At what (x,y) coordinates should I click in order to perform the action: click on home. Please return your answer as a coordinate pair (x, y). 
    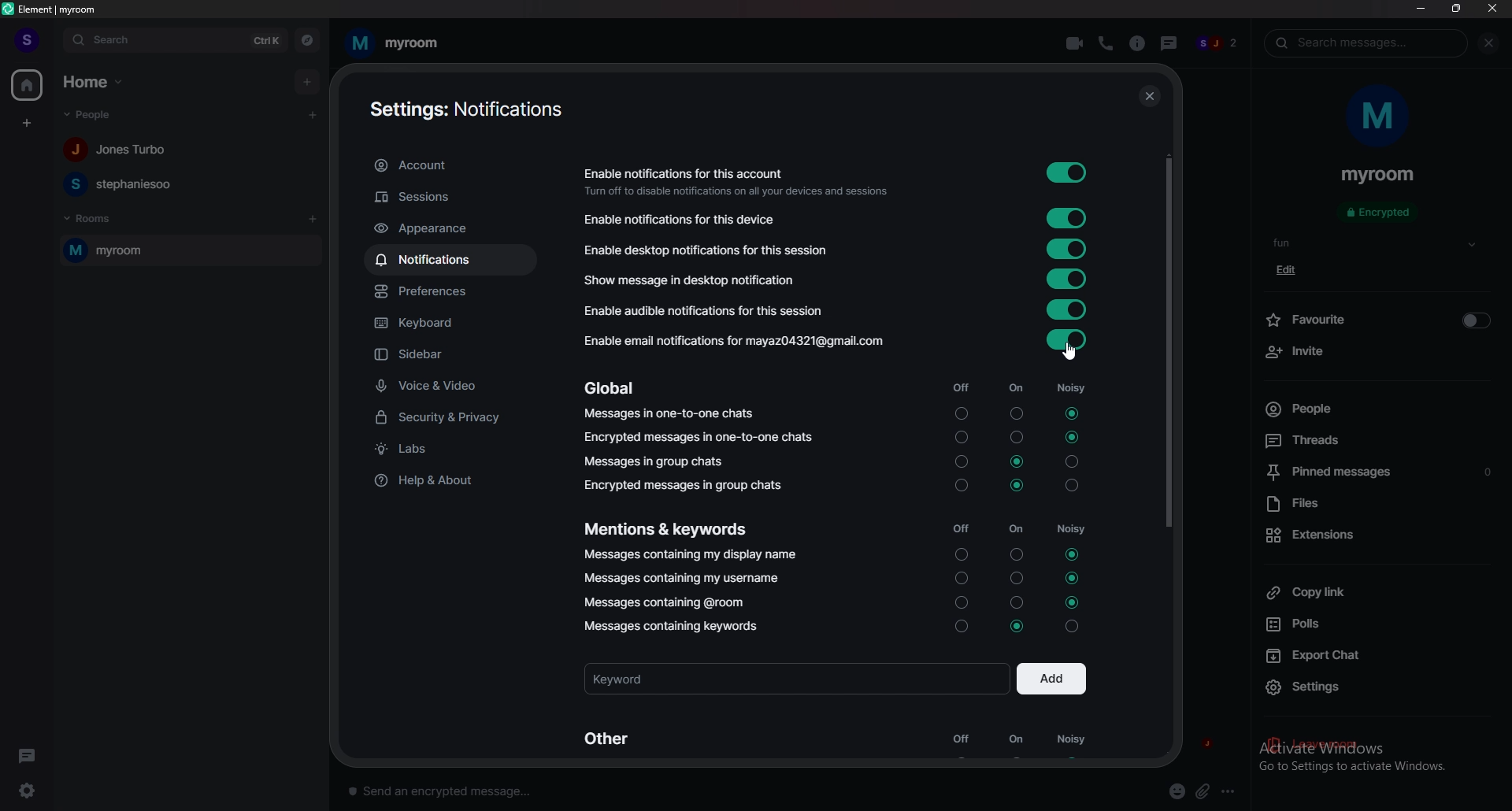
    Looking at the image, I should click on (26, 84).